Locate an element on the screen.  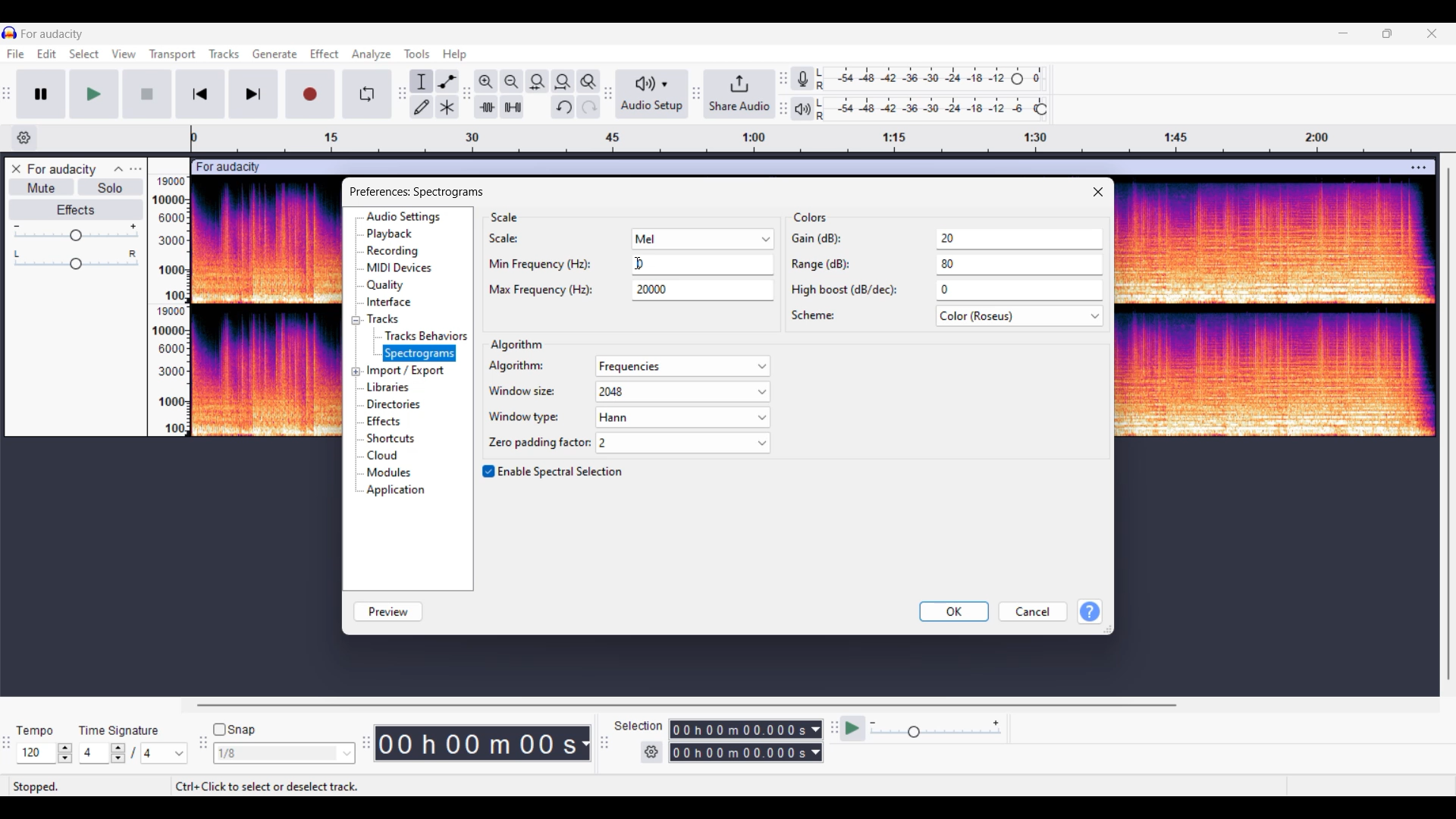
Share audio is located at coordinates (739, 93).